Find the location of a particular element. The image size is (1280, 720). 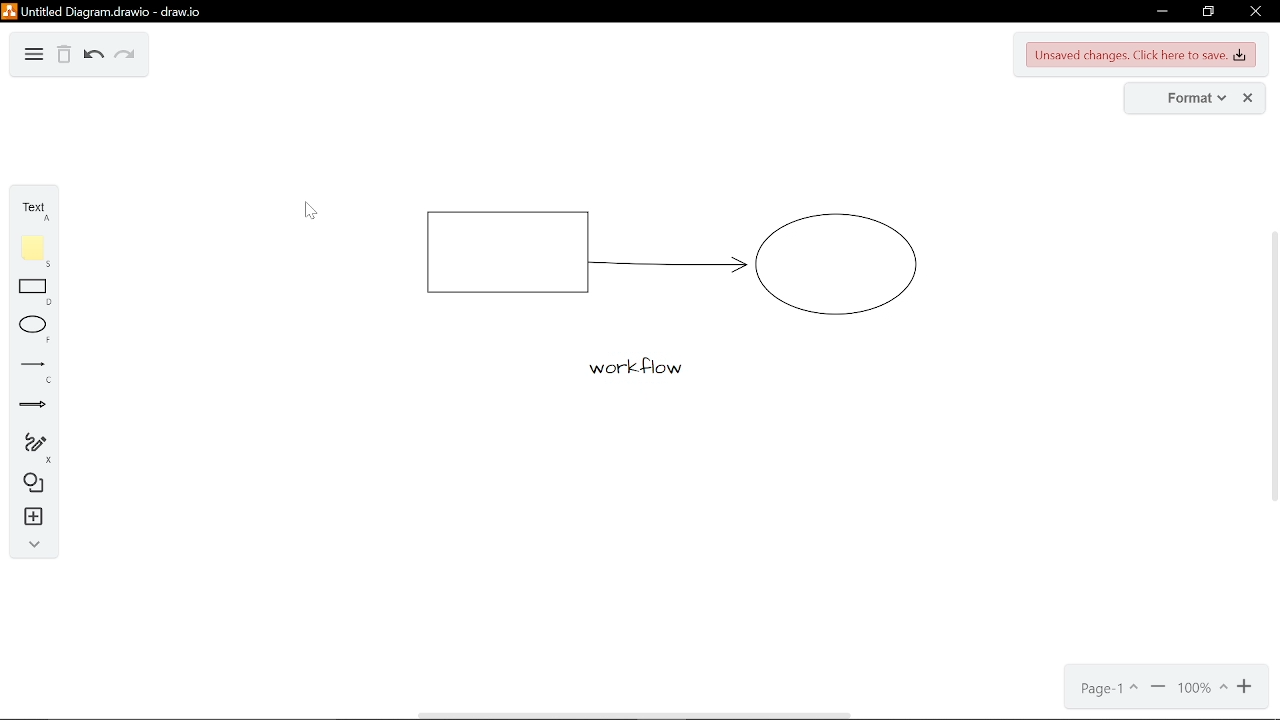

Untitled Diagram.drawio.draw.io is located at coordinates (102, 10).